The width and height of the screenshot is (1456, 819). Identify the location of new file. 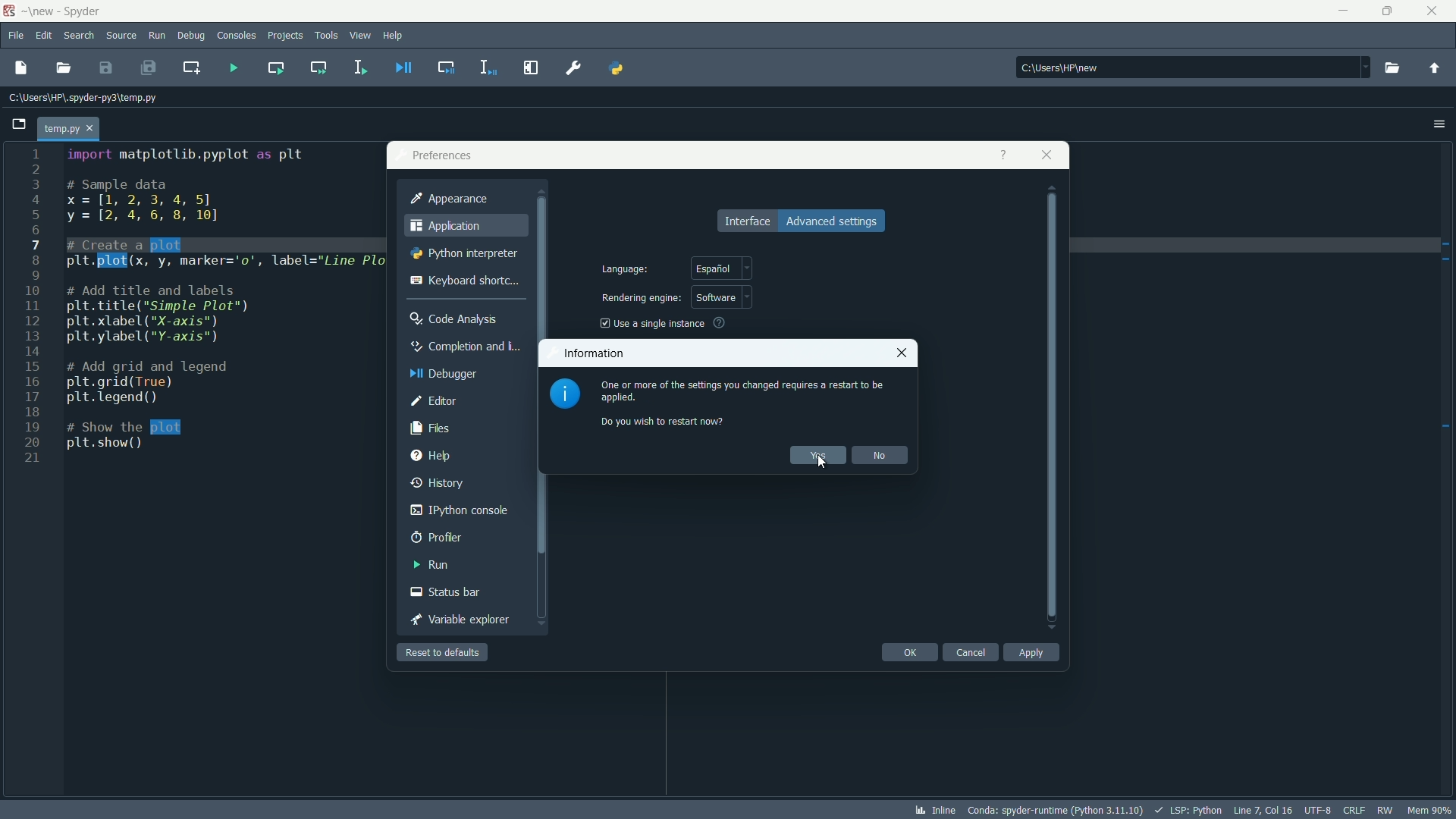
(21, 68).